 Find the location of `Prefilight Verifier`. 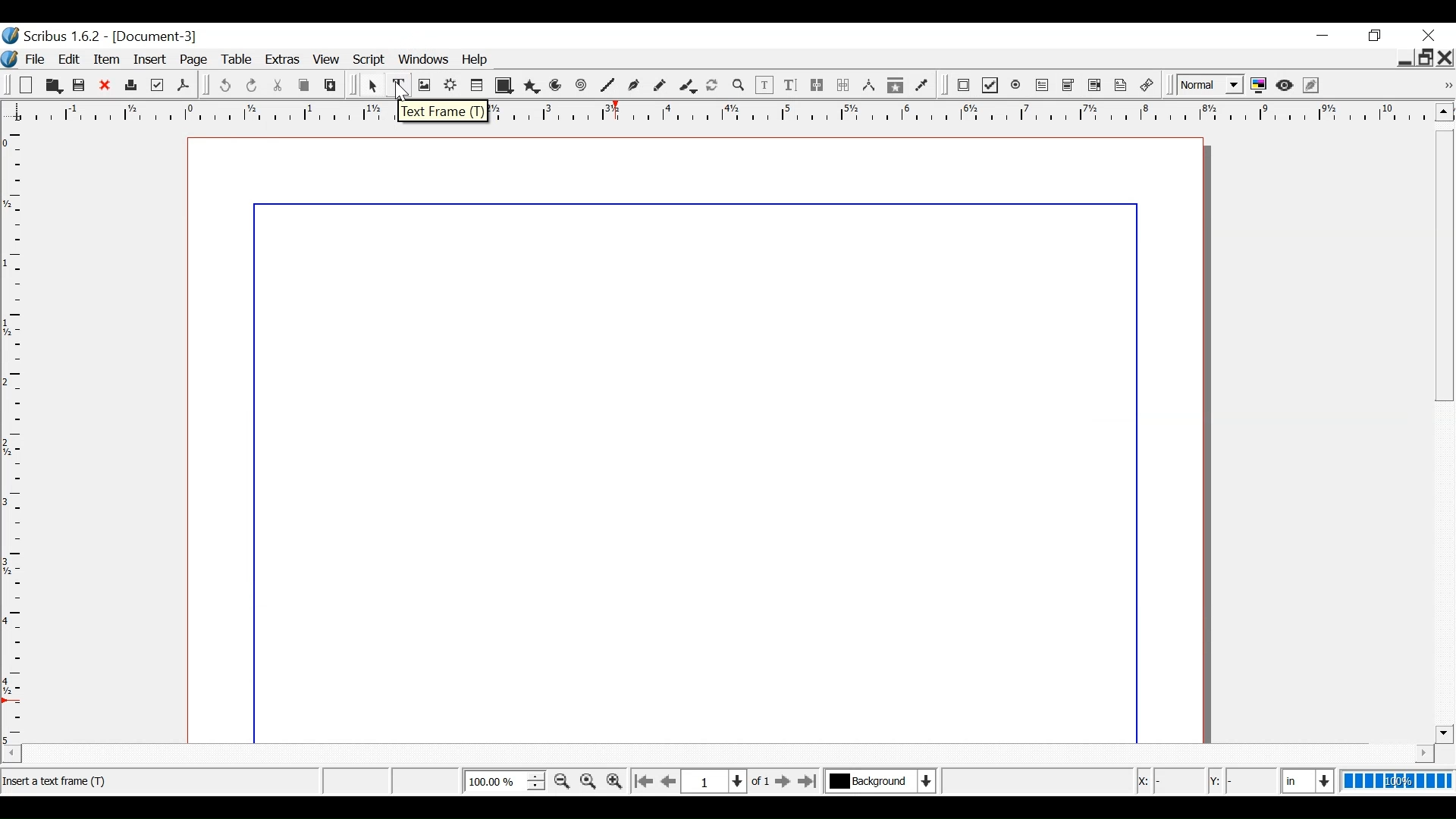

Prefilight Verifier is located at coordinates (157, 84).